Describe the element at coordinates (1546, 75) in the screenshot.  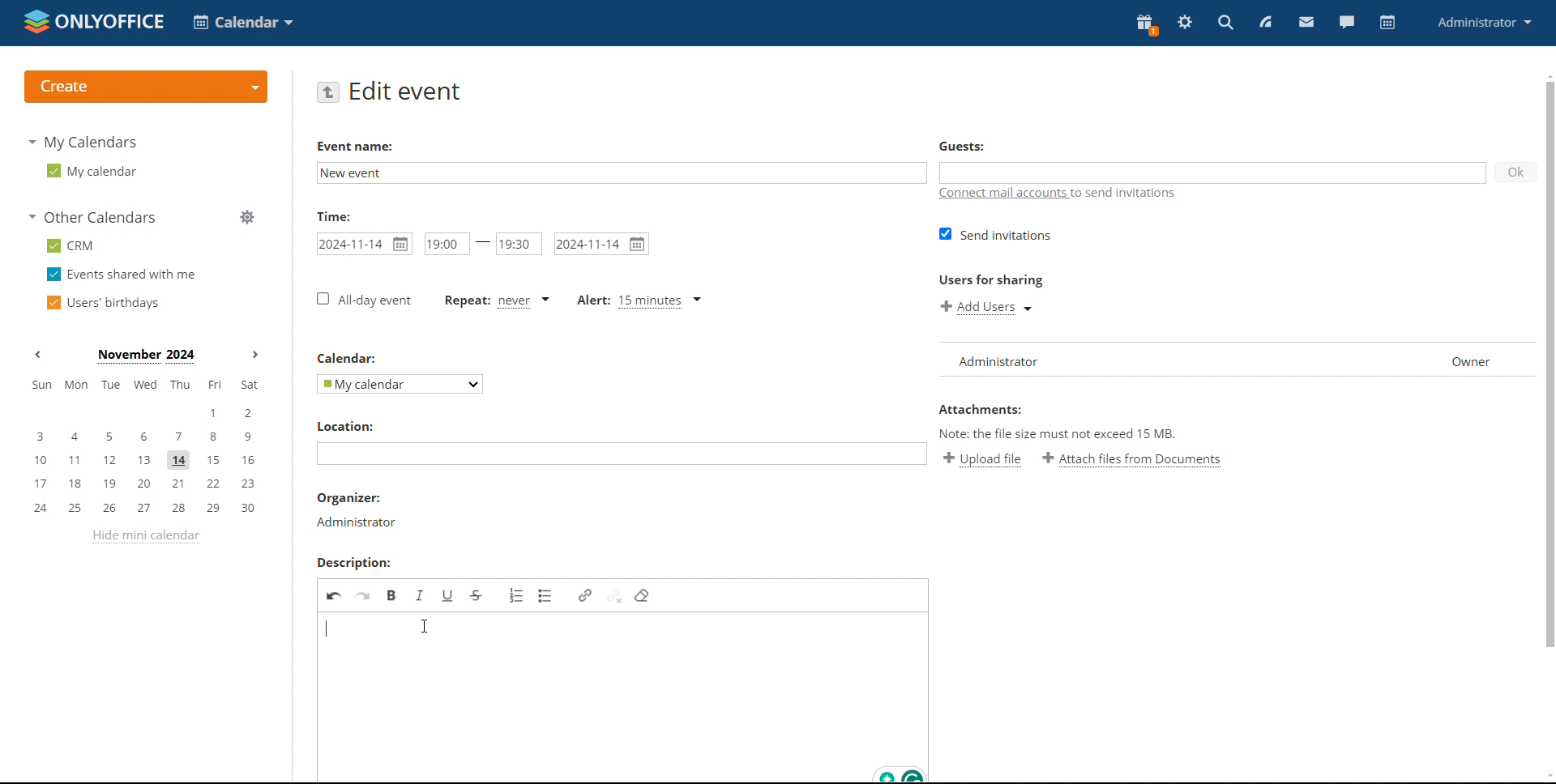
I see `scroll up` at that location.